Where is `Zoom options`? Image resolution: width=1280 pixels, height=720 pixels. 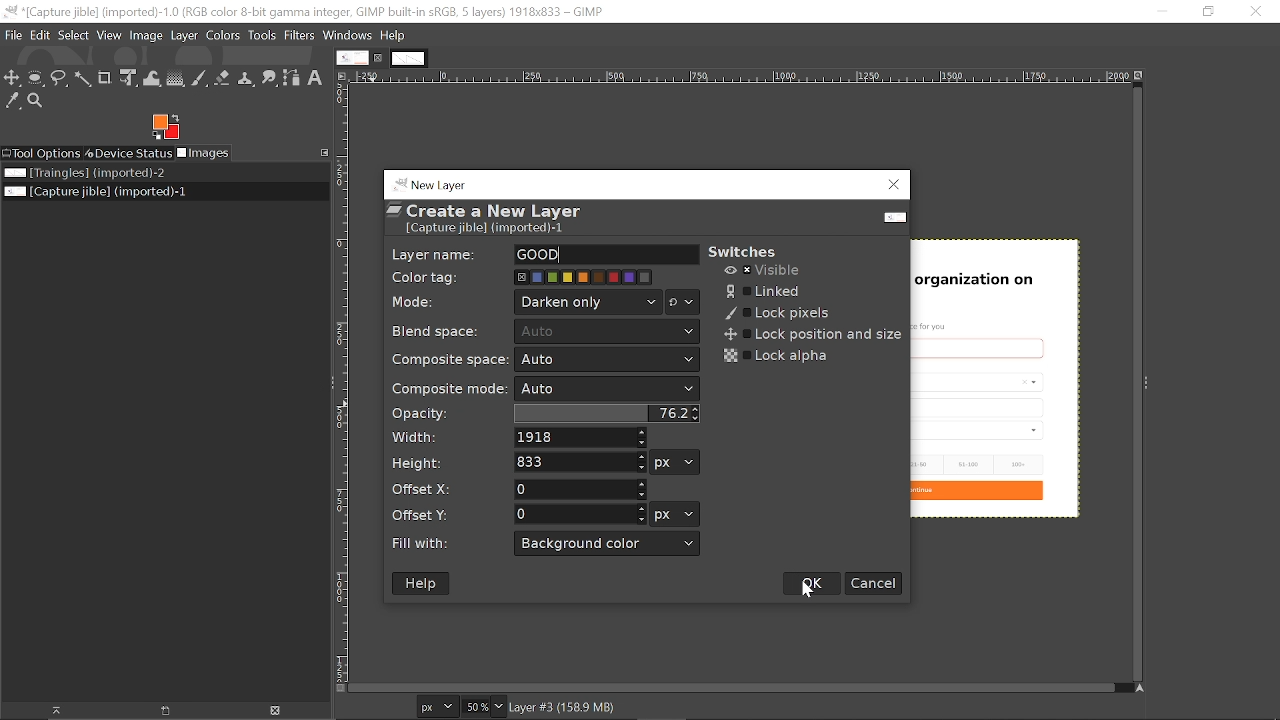 Zoom options is located at coordinates (498, 707).